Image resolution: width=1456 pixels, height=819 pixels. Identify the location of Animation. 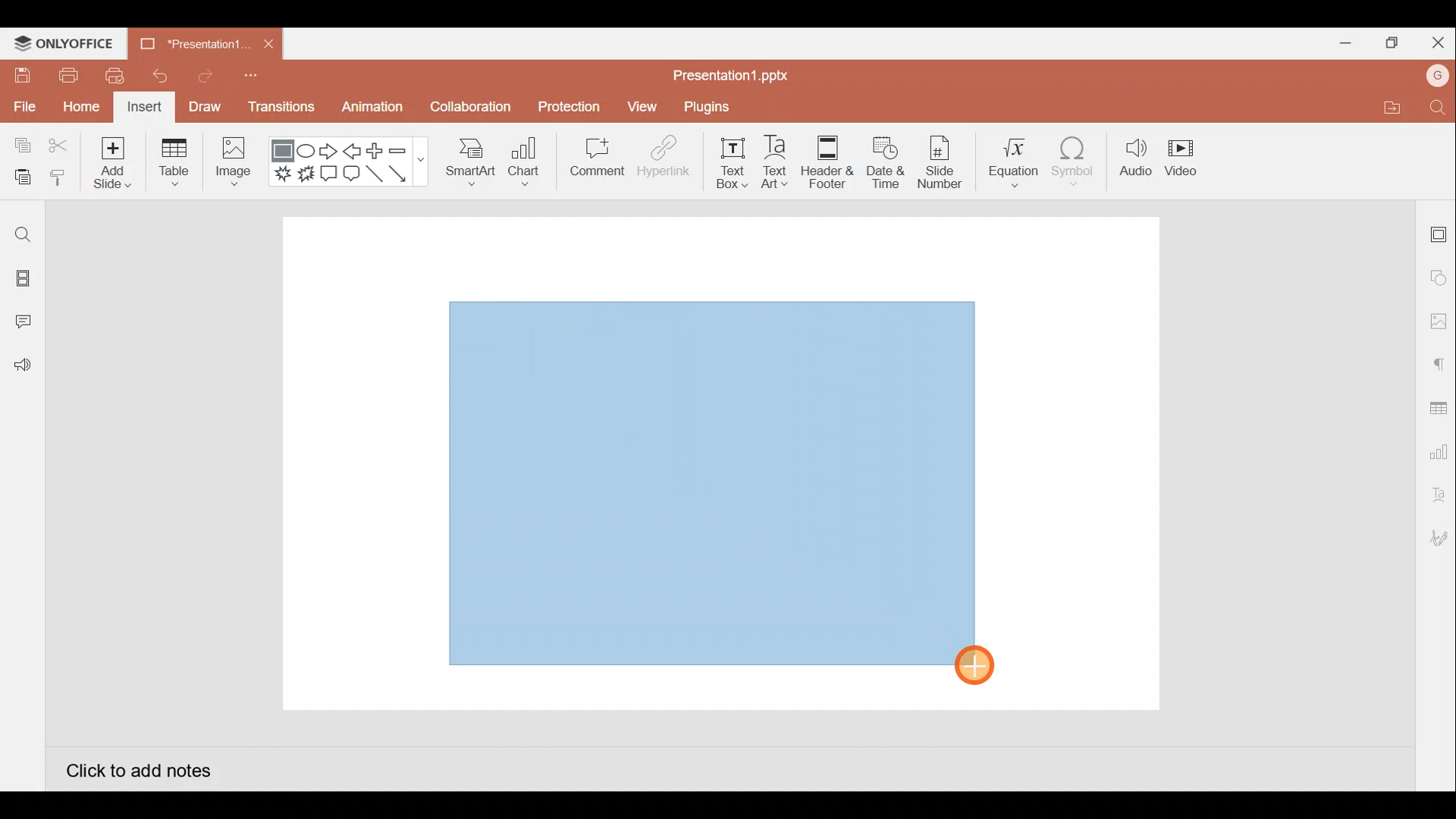
(374, 111).